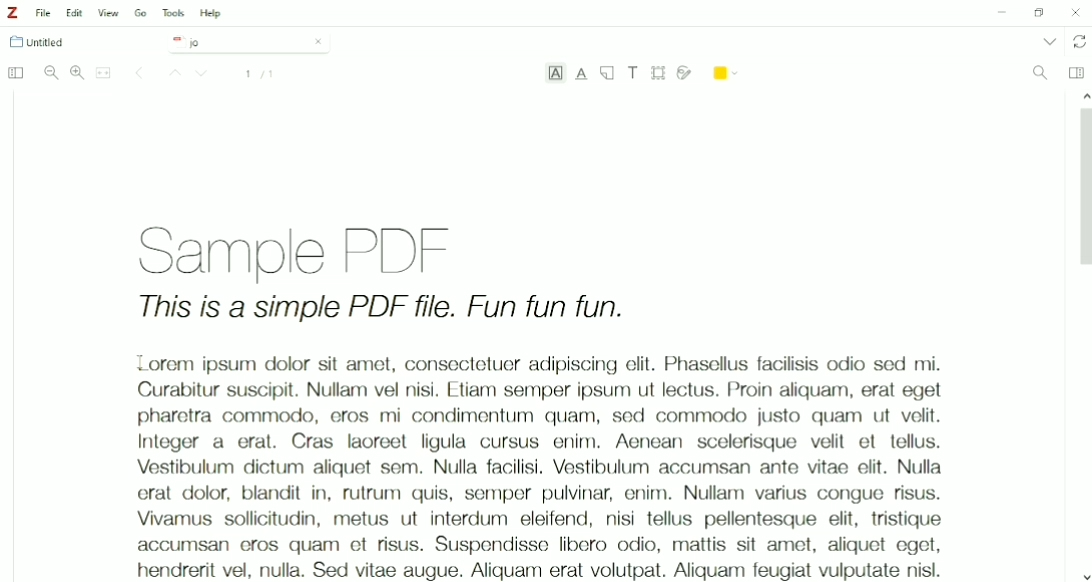  I want to click on Merge, so click(104, 73).